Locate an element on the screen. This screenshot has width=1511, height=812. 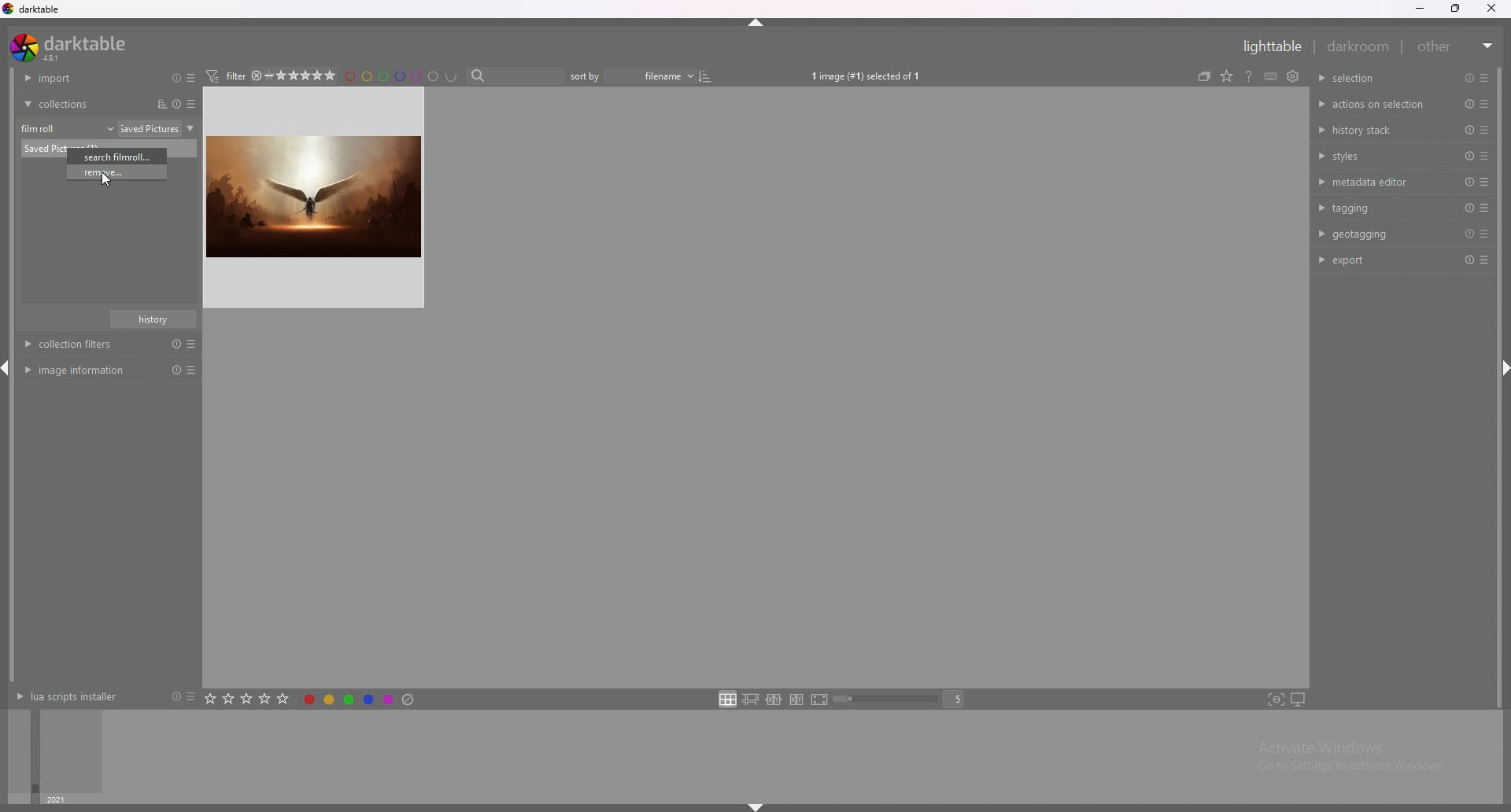
actions on selection is located at coordinates (1374, 105).